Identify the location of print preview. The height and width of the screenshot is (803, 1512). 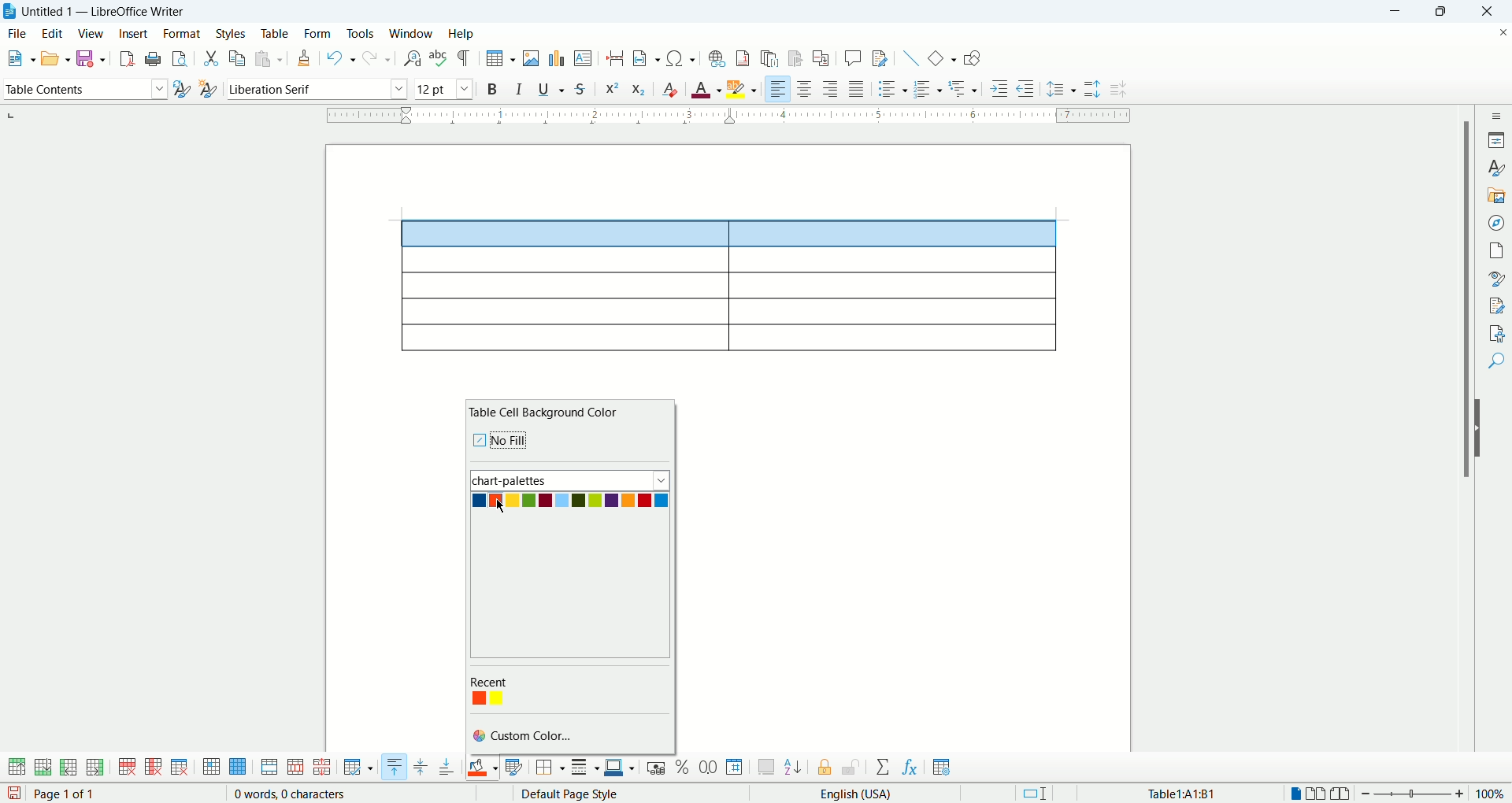
(182, 56).